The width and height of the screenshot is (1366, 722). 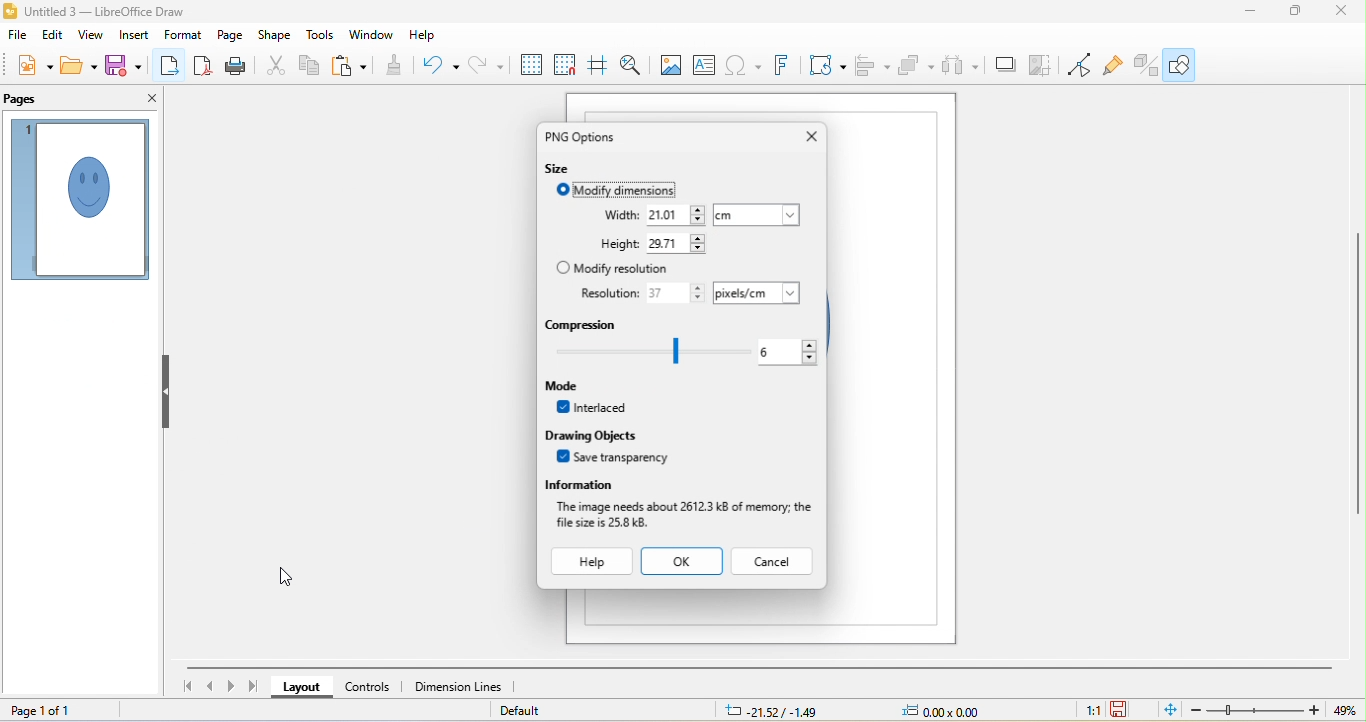 I want to click on select width, so click(x=675, y=215).